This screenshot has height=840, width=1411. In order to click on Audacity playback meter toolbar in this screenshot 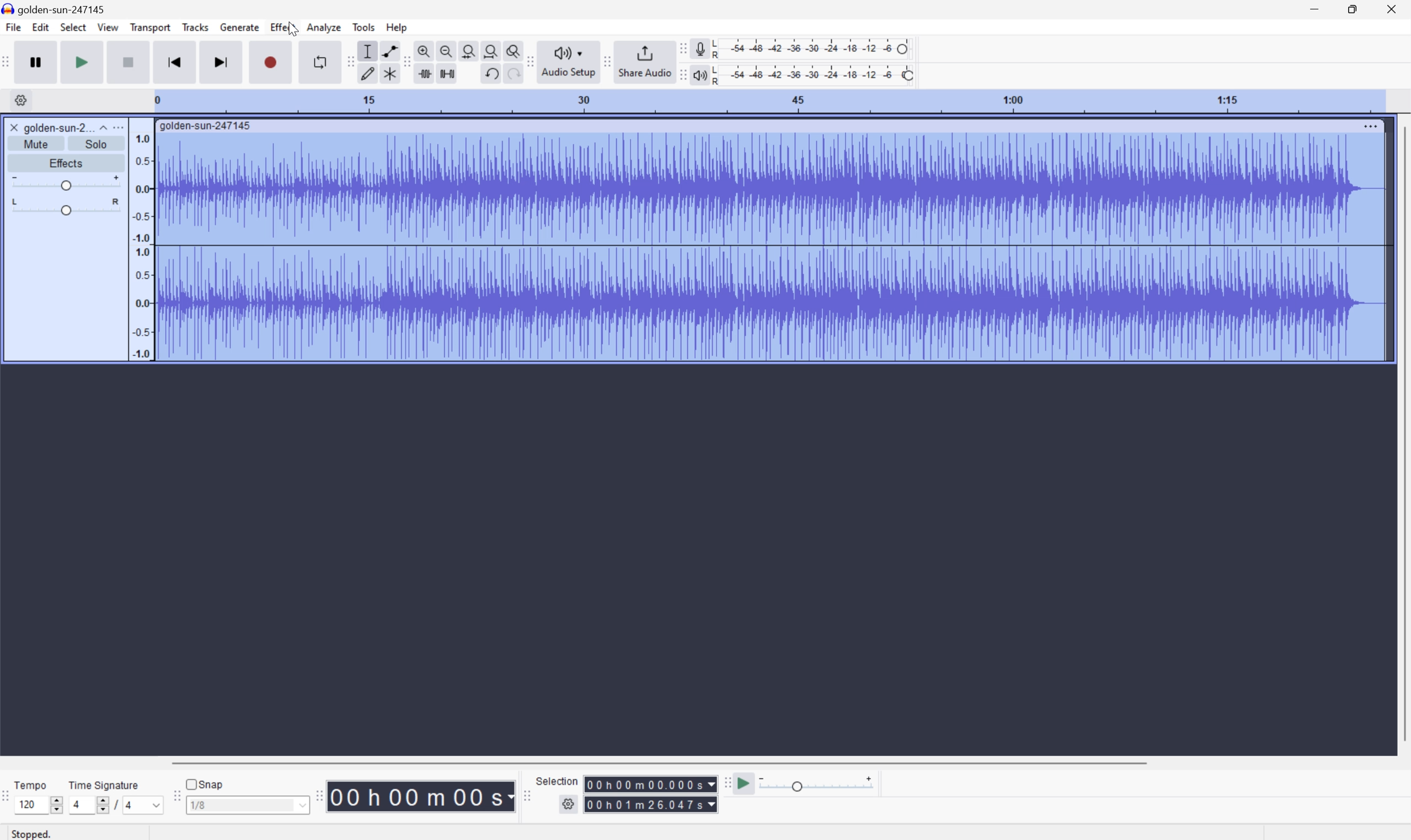, I will do `click(680, 76)`.